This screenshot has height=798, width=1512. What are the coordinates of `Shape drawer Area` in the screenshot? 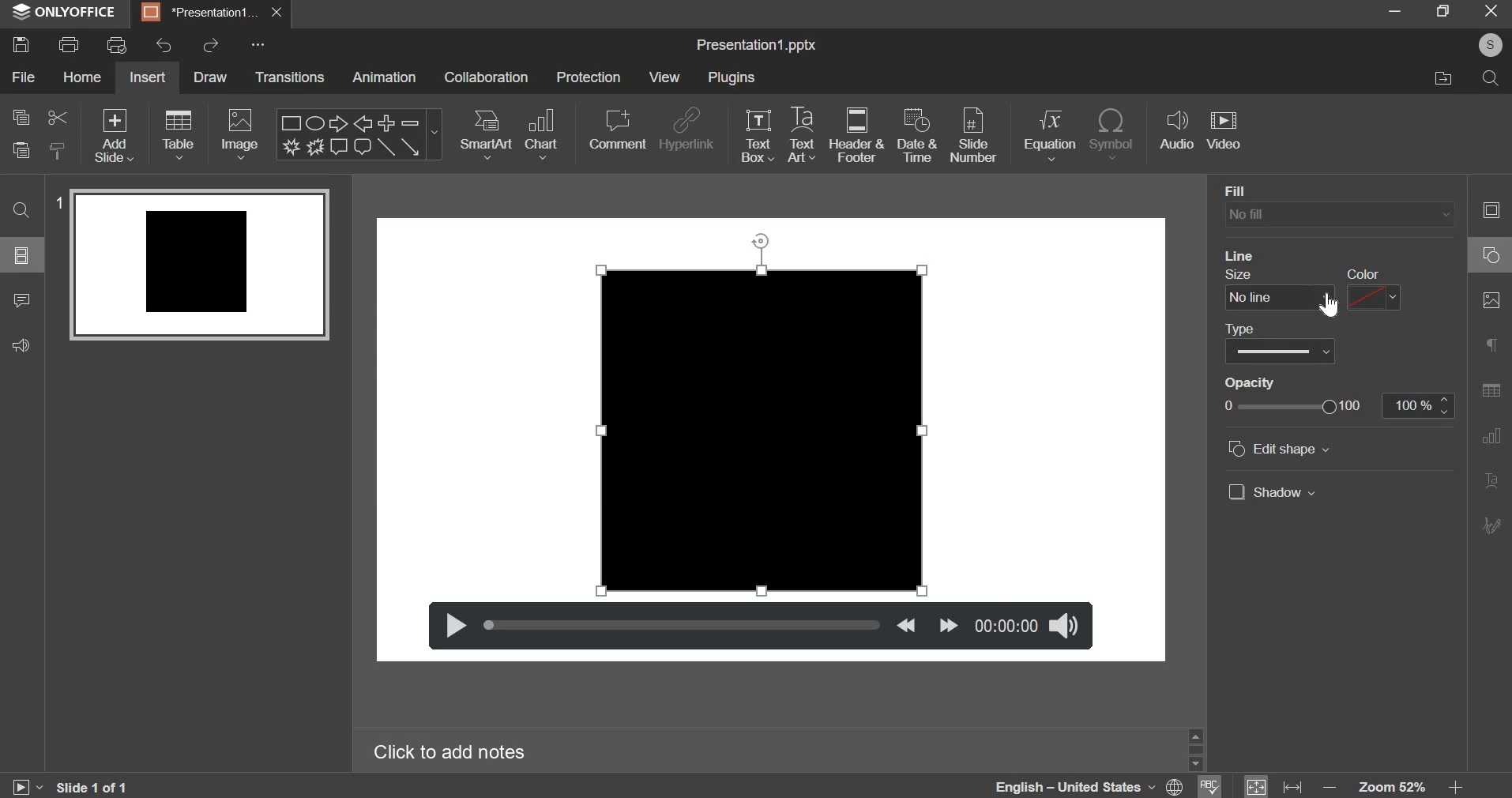 It's located at (765, 415).